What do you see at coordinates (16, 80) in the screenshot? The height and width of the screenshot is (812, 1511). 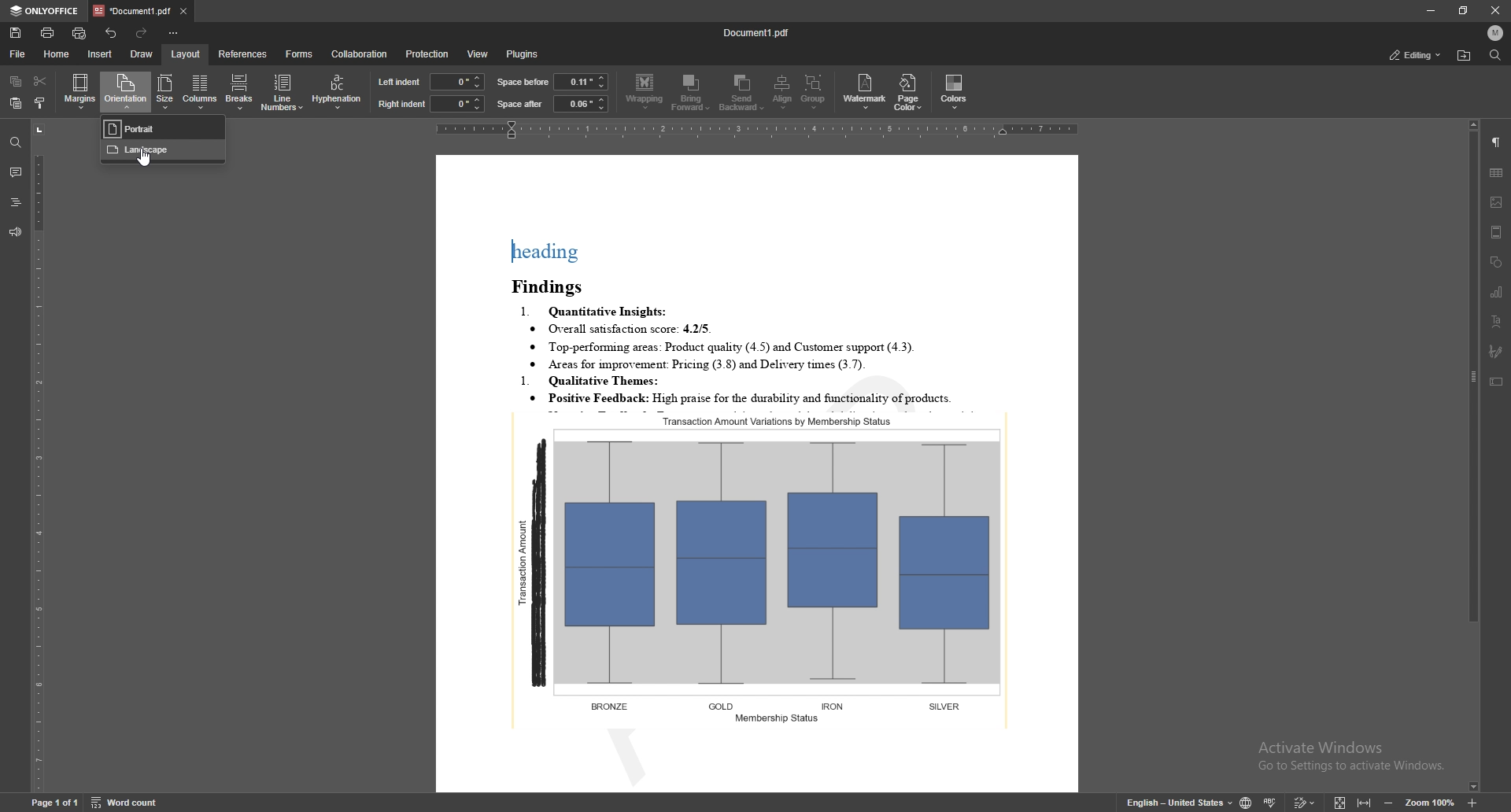 I see `copy` at bounding box center [16, 80].